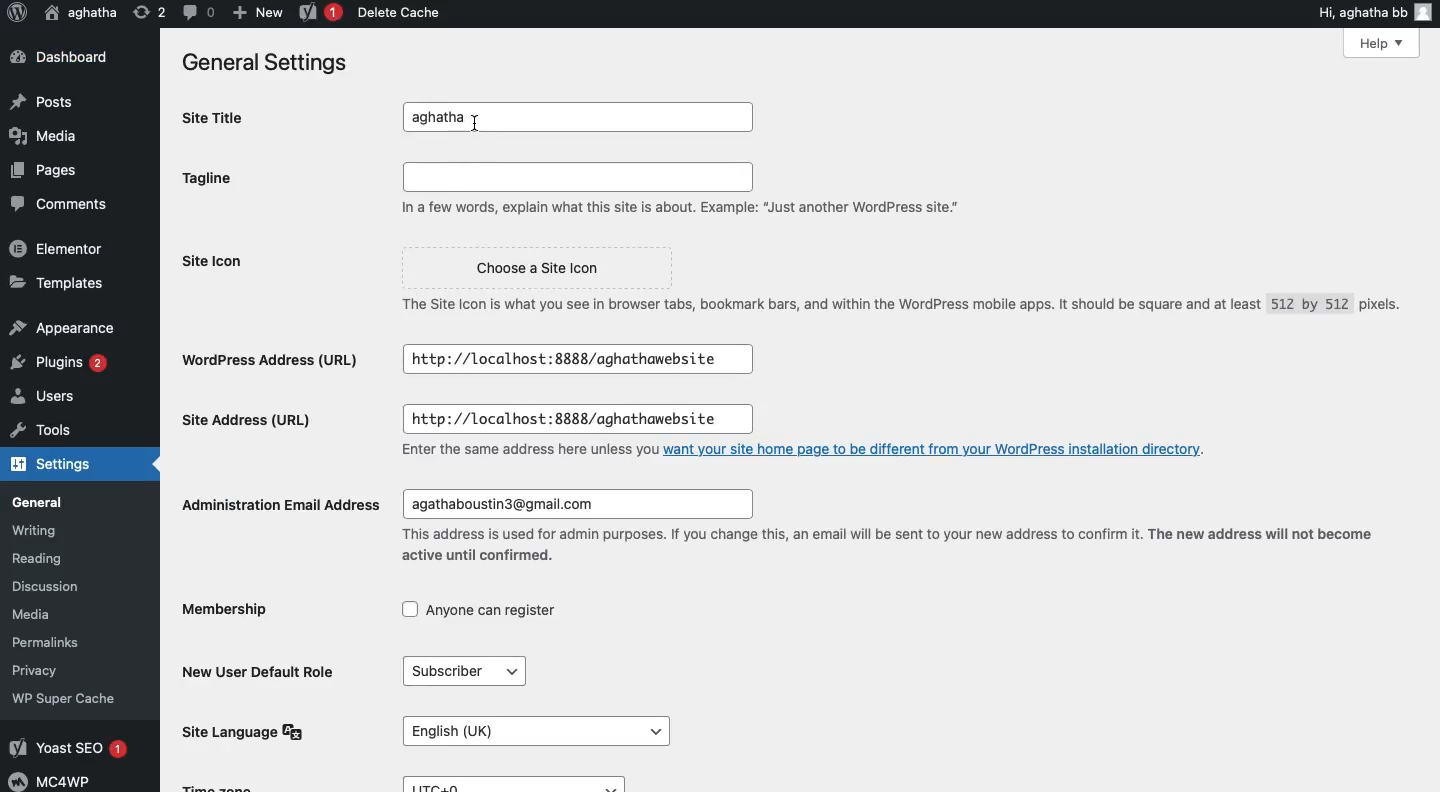 The height and width of the screenshot is (792, 1440). I want to click on Templates, so click(56, 282).